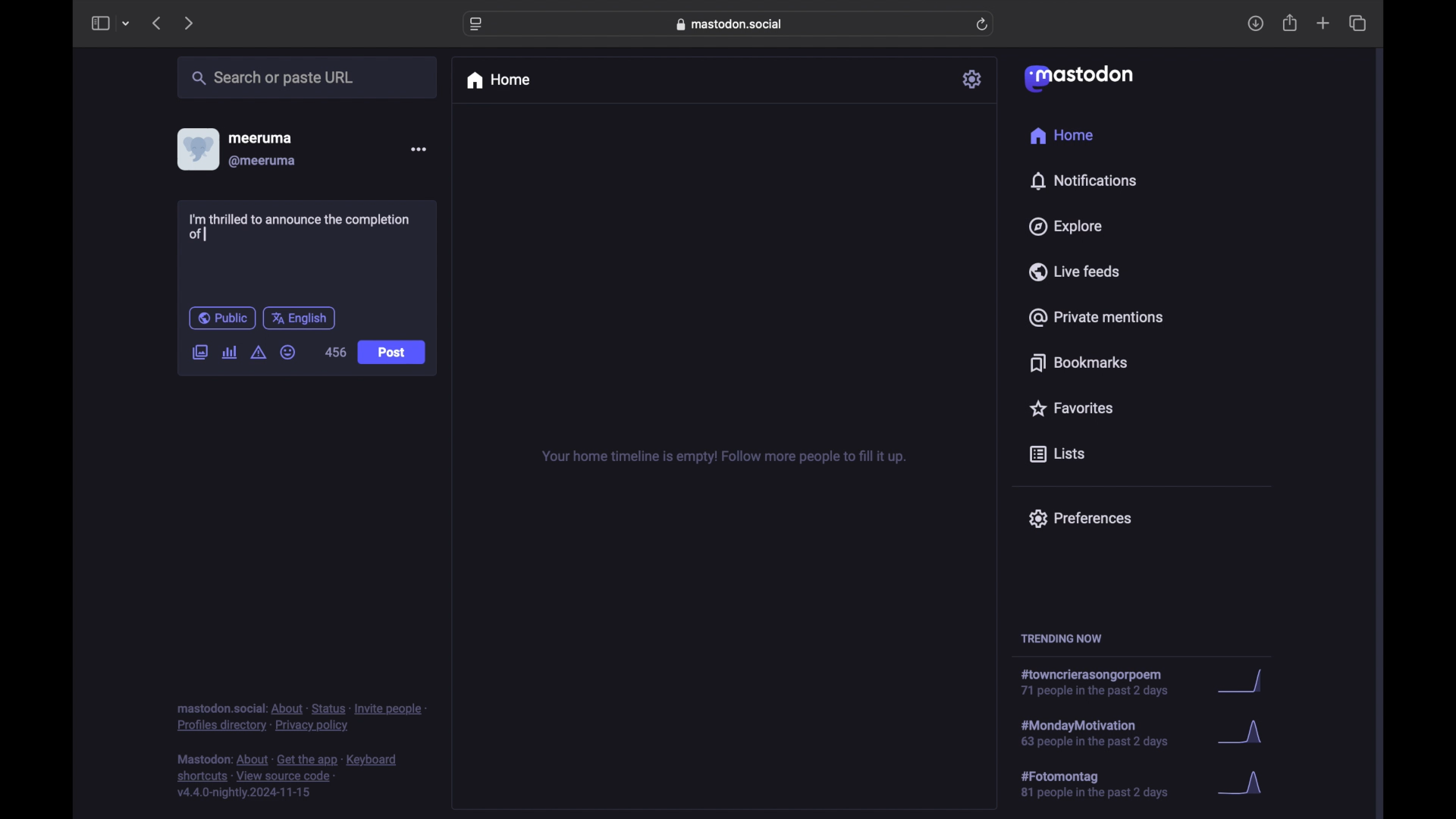 This screenshot has width=1456, height=819. I want to click on private mentions, so click(1095, 317).